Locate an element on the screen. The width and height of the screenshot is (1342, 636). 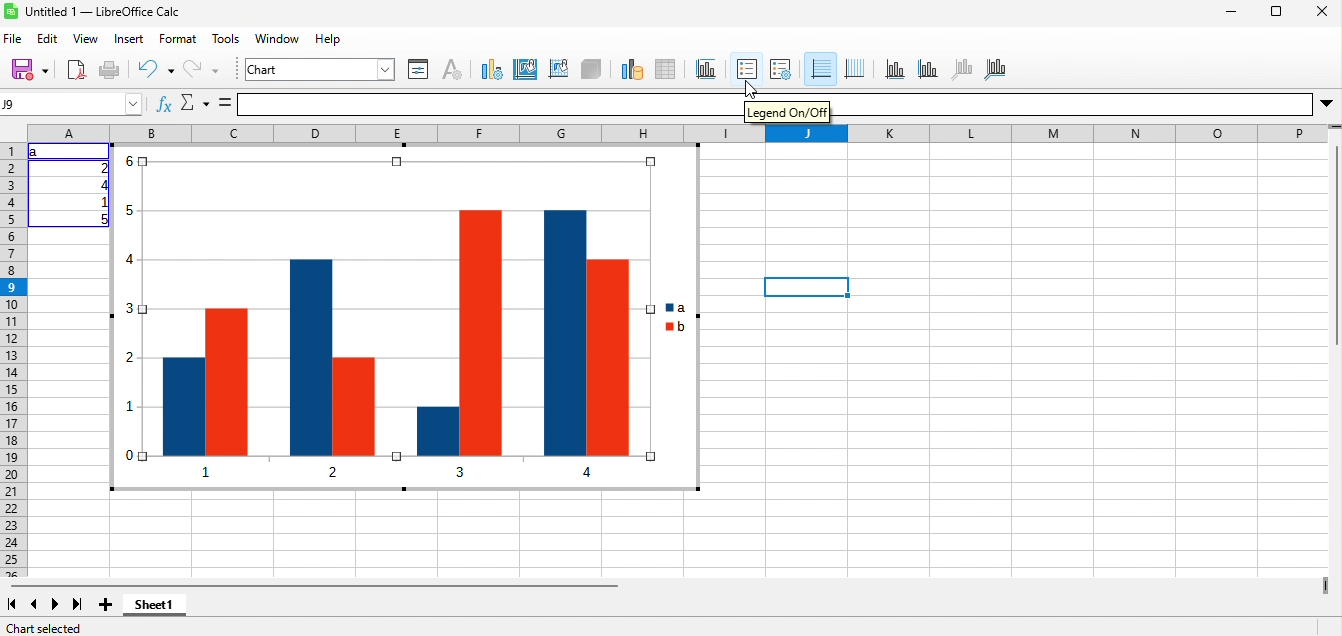
Formula is located at coordinates (225, 103).